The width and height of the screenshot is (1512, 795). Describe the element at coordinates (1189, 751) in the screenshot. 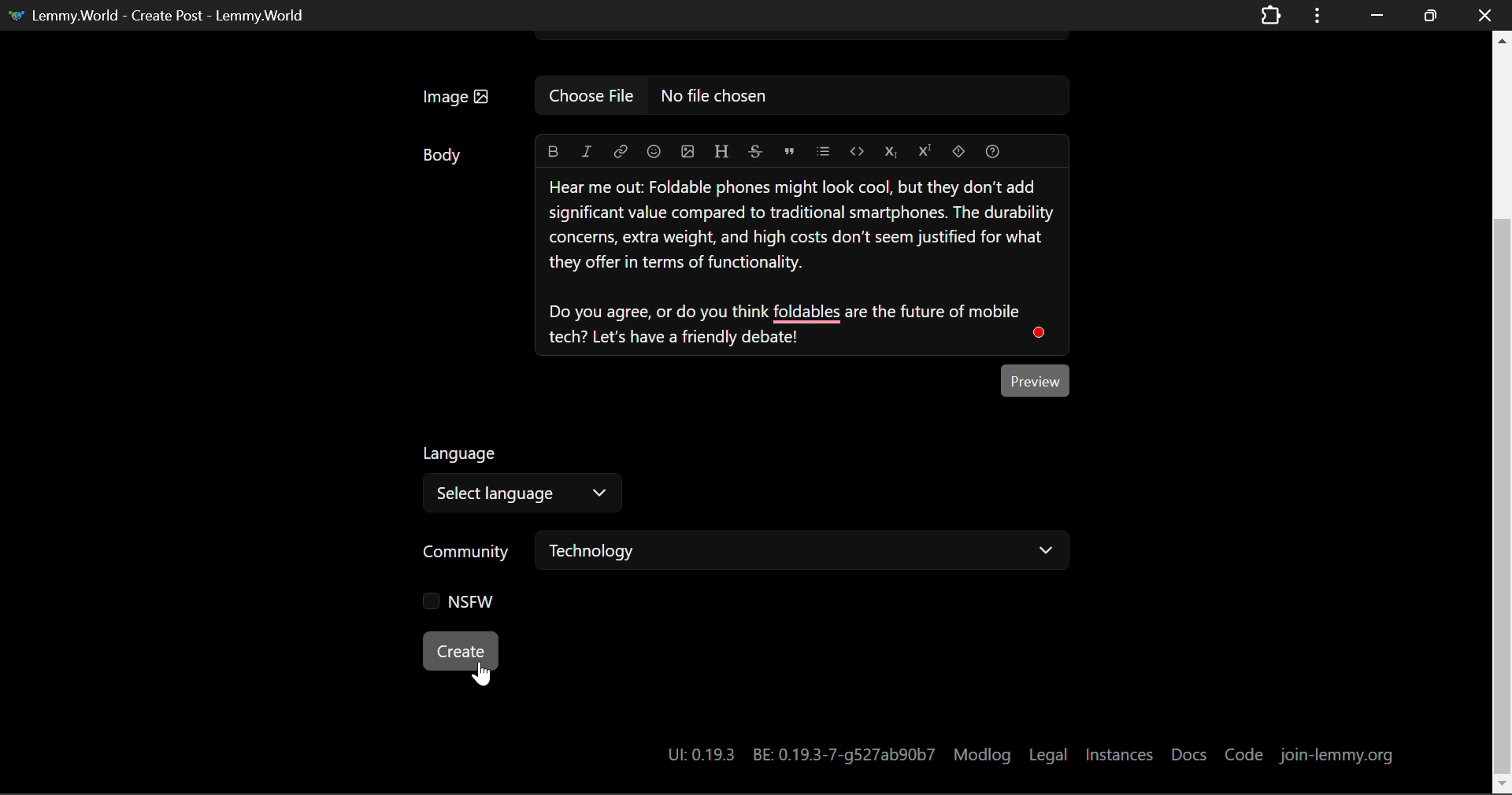

I see `Docs` at that location.